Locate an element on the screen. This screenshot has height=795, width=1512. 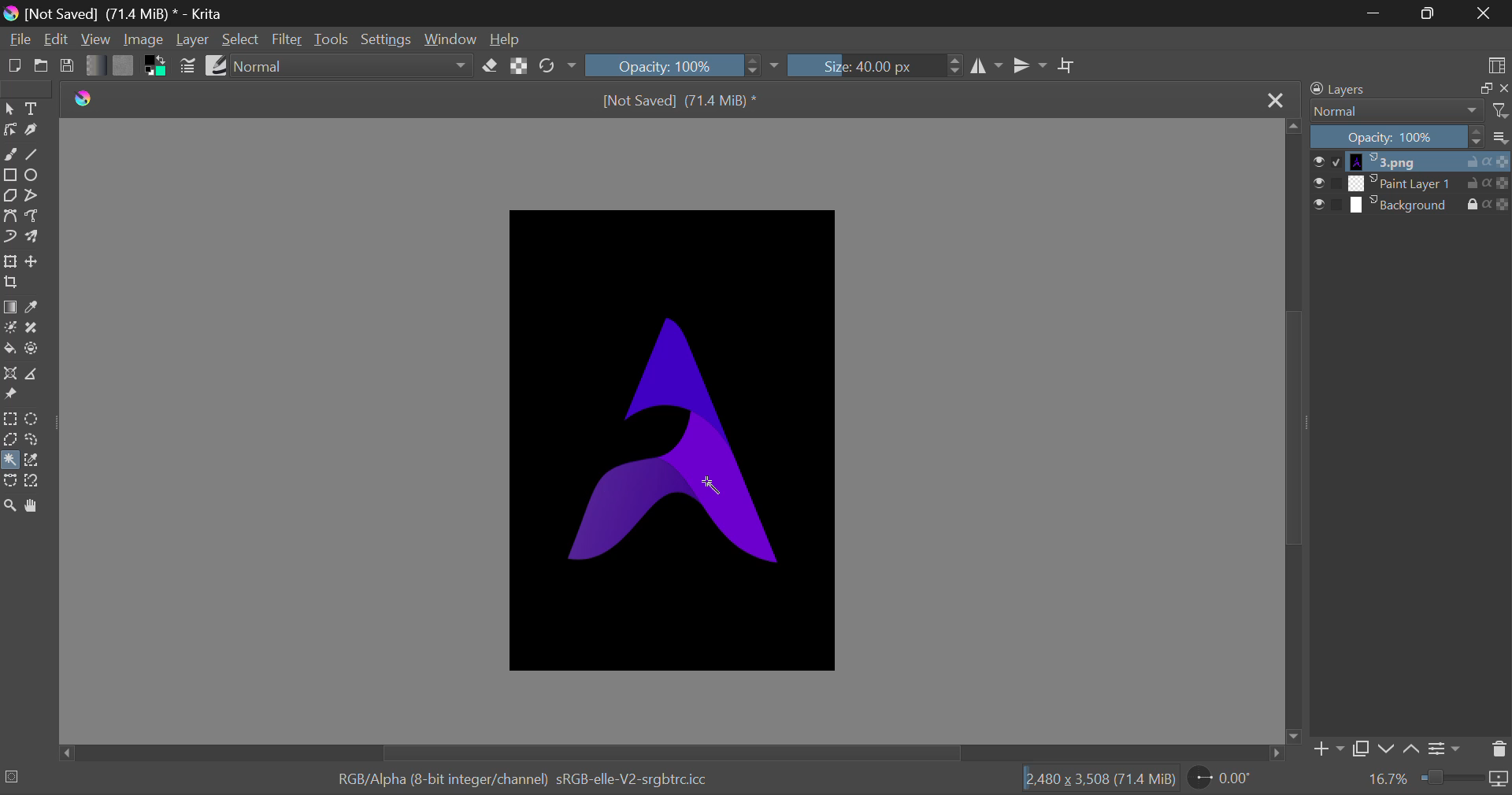
Edit Shape is located at coordinates (10, 130).